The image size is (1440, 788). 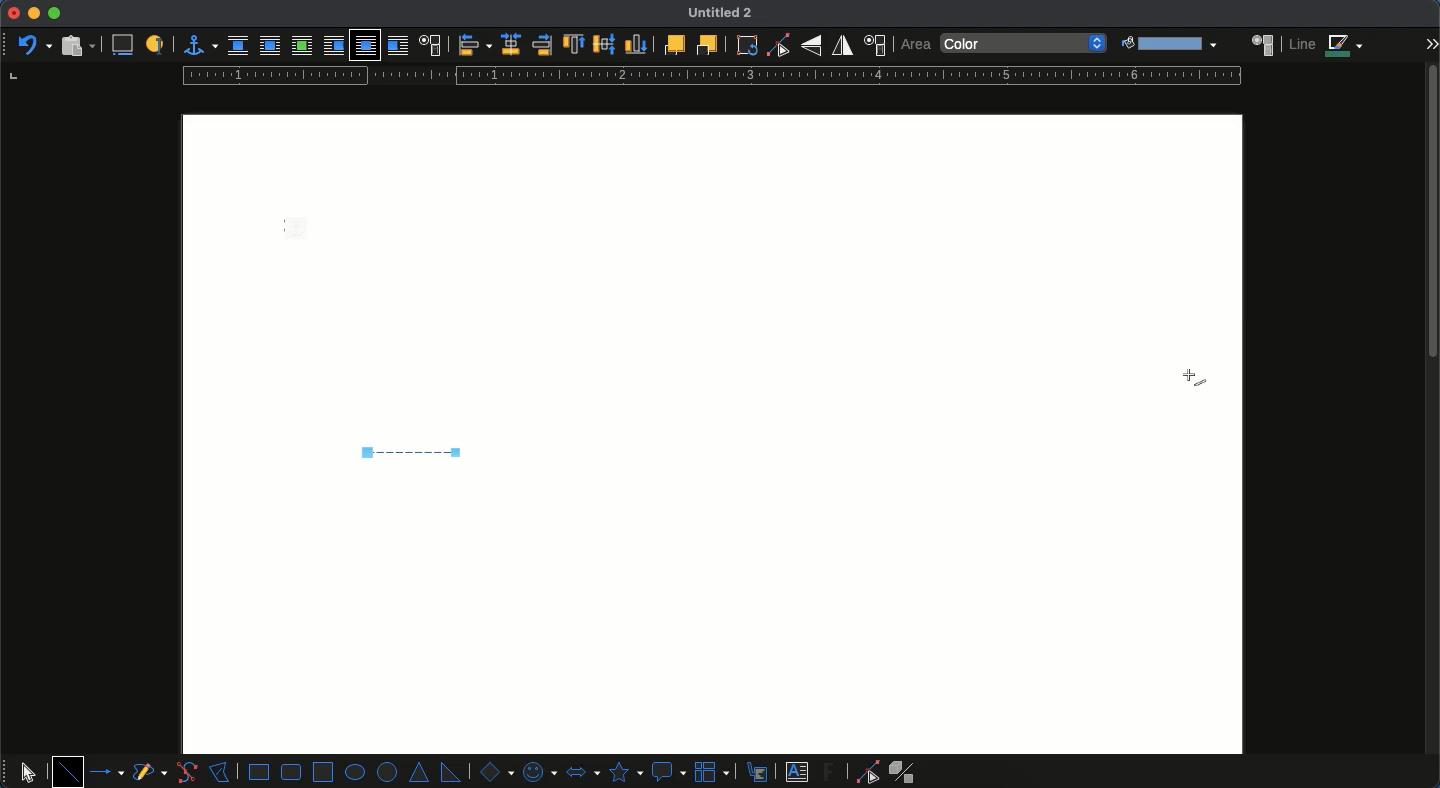 I want to click on footwork text, so click(x=832, y=771).